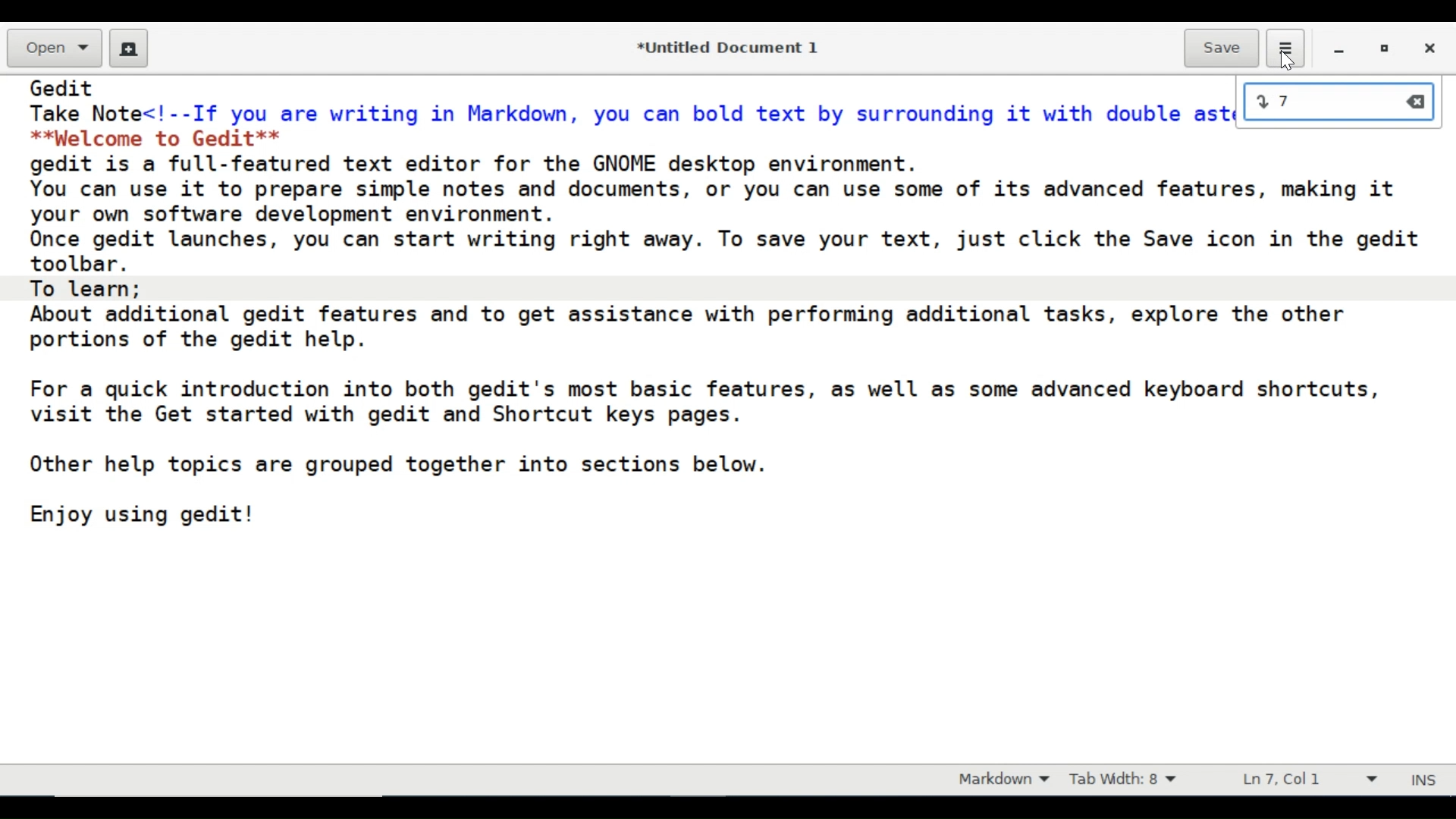  I want to click on Other help topics are grouped together into sections below., so click(397, 465).